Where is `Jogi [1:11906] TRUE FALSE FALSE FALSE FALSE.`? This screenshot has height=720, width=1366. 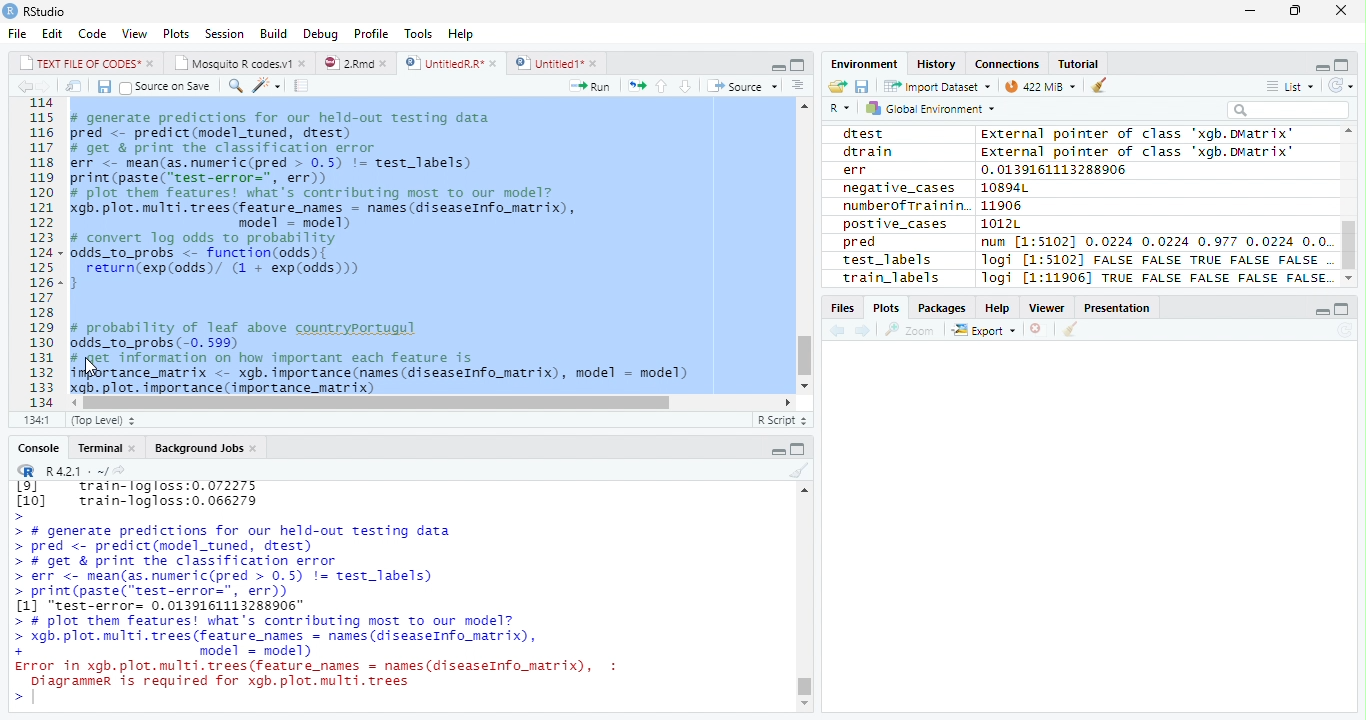 Jogi [1:11906] TRUE FALSE FALSE FALSE FALSE. is located at coordinates (1155, 278).